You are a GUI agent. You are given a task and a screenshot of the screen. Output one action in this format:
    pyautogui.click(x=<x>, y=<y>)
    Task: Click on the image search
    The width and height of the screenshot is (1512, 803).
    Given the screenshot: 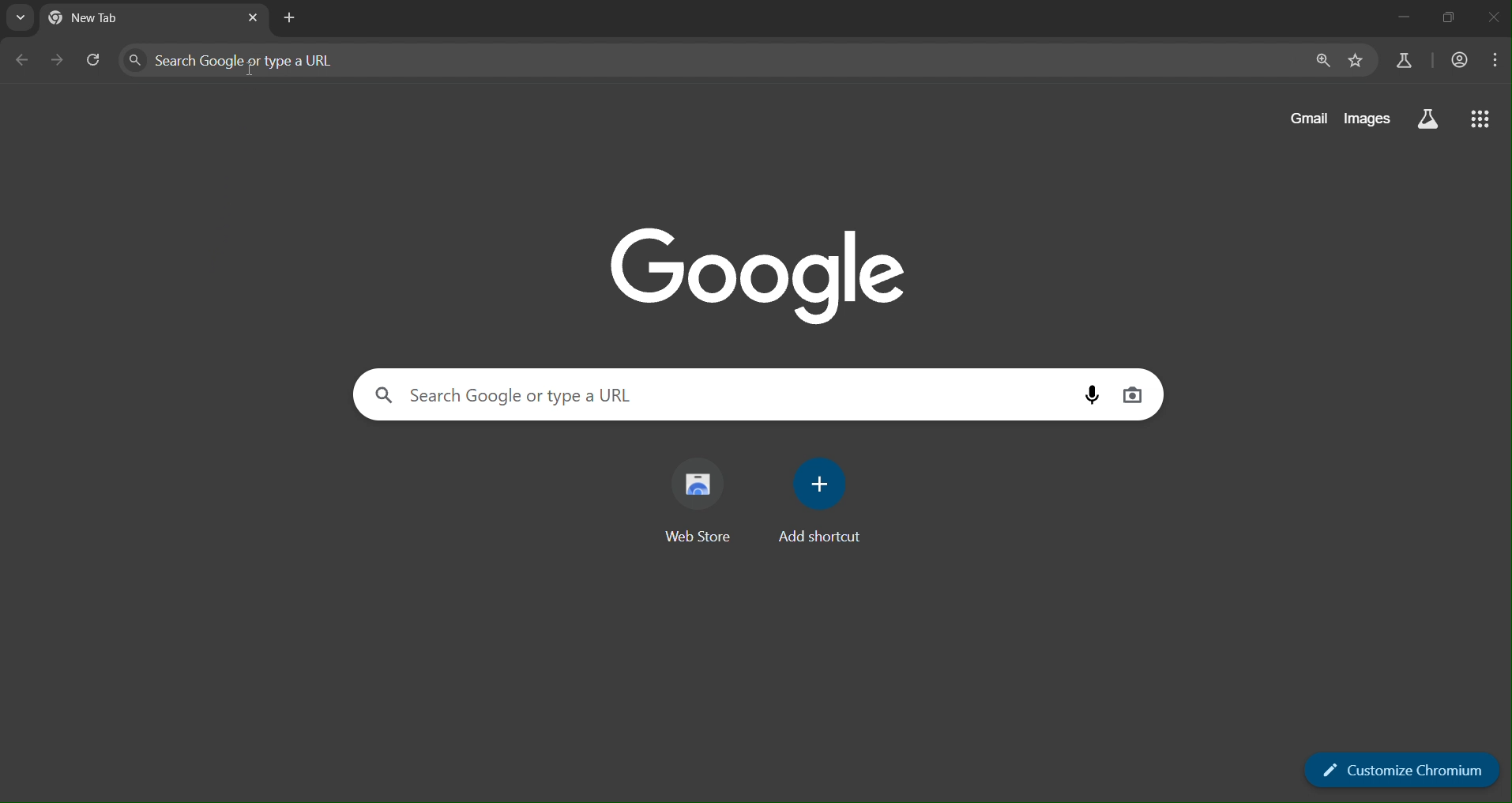 What is the action you would take?
    pyautogui.click(x=1133, y=395)
    